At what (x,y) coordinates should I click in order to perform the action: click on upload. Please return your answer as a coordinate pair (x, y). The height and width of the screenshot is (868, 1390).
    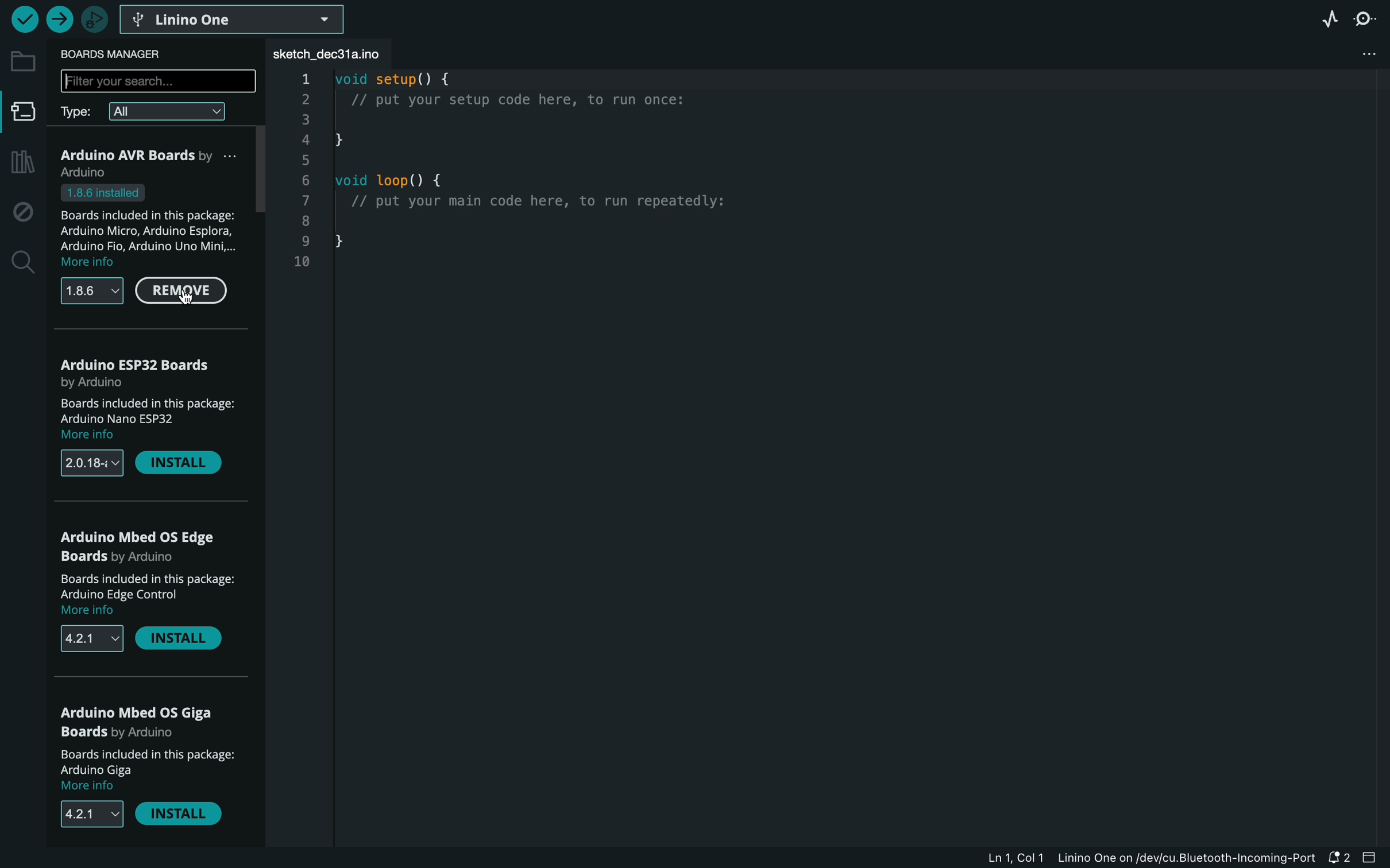
    Looking at the image, I should click on (59, 22).